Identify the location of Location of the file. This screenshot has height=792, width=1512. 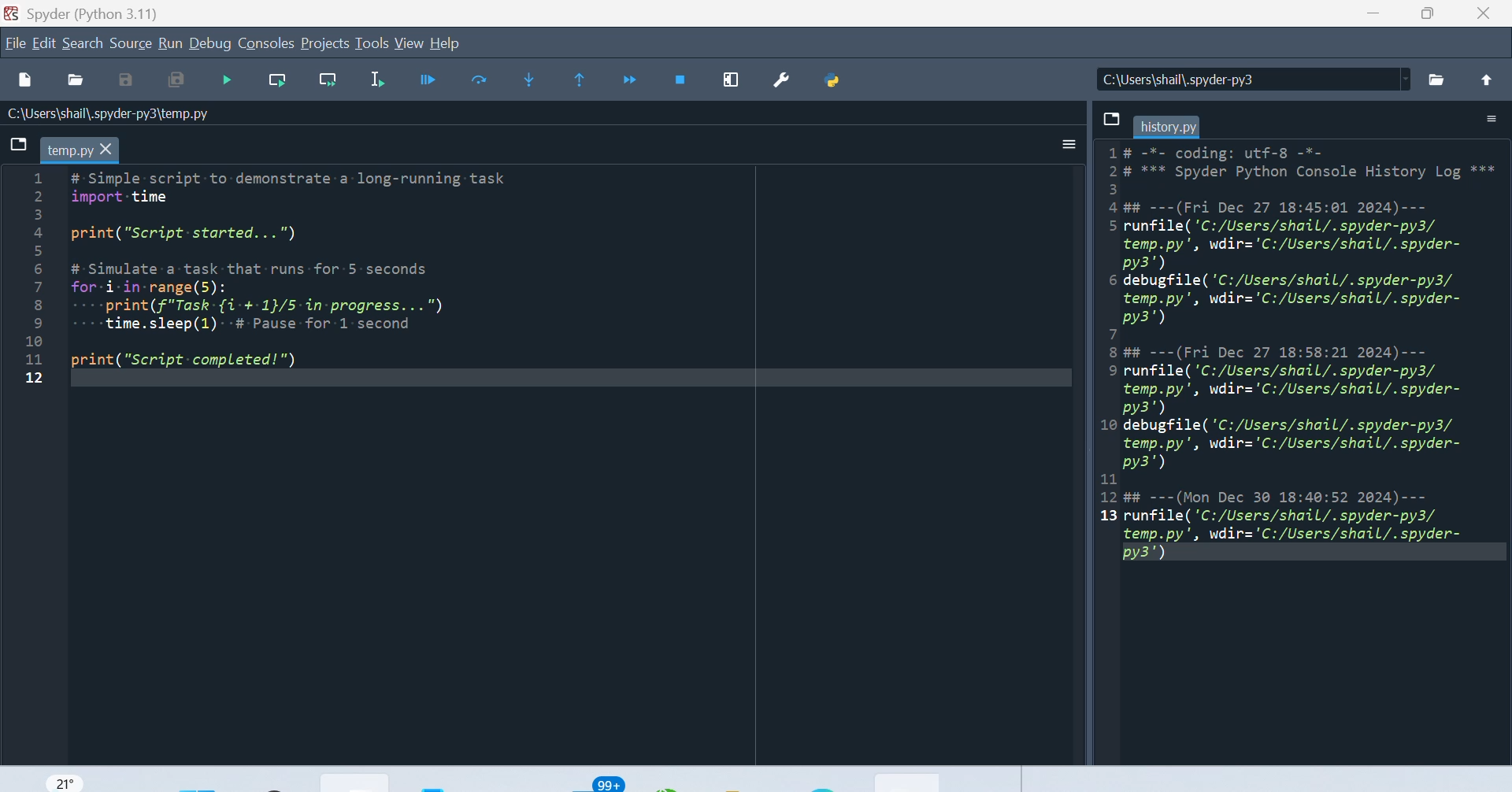
(1248, 76).